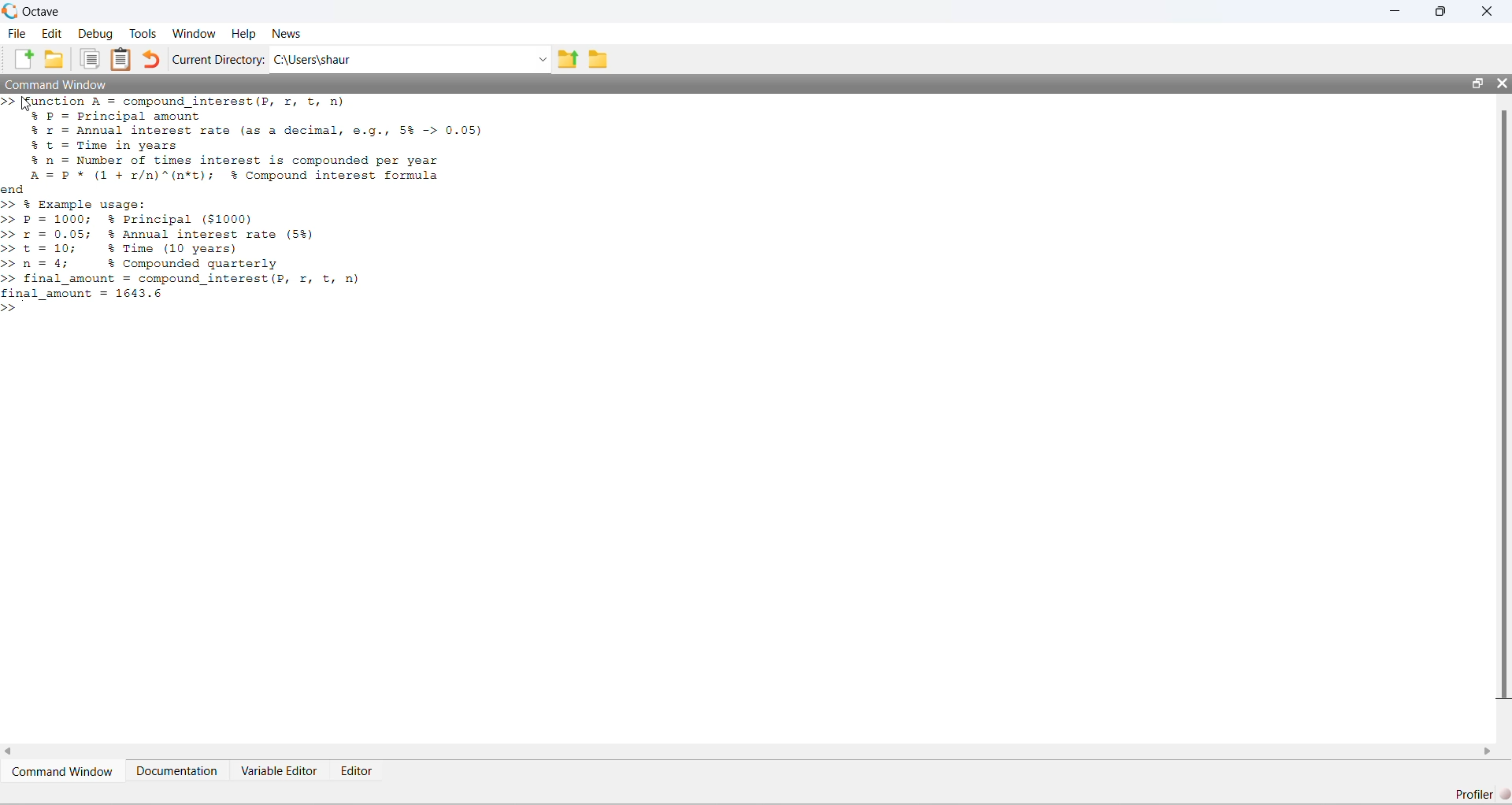 The width and height of the screenshot is (1512, 805). What do you see at coordinates (193, 33) in the screenshot?
I see `Window` at bounding box center [193, 33].